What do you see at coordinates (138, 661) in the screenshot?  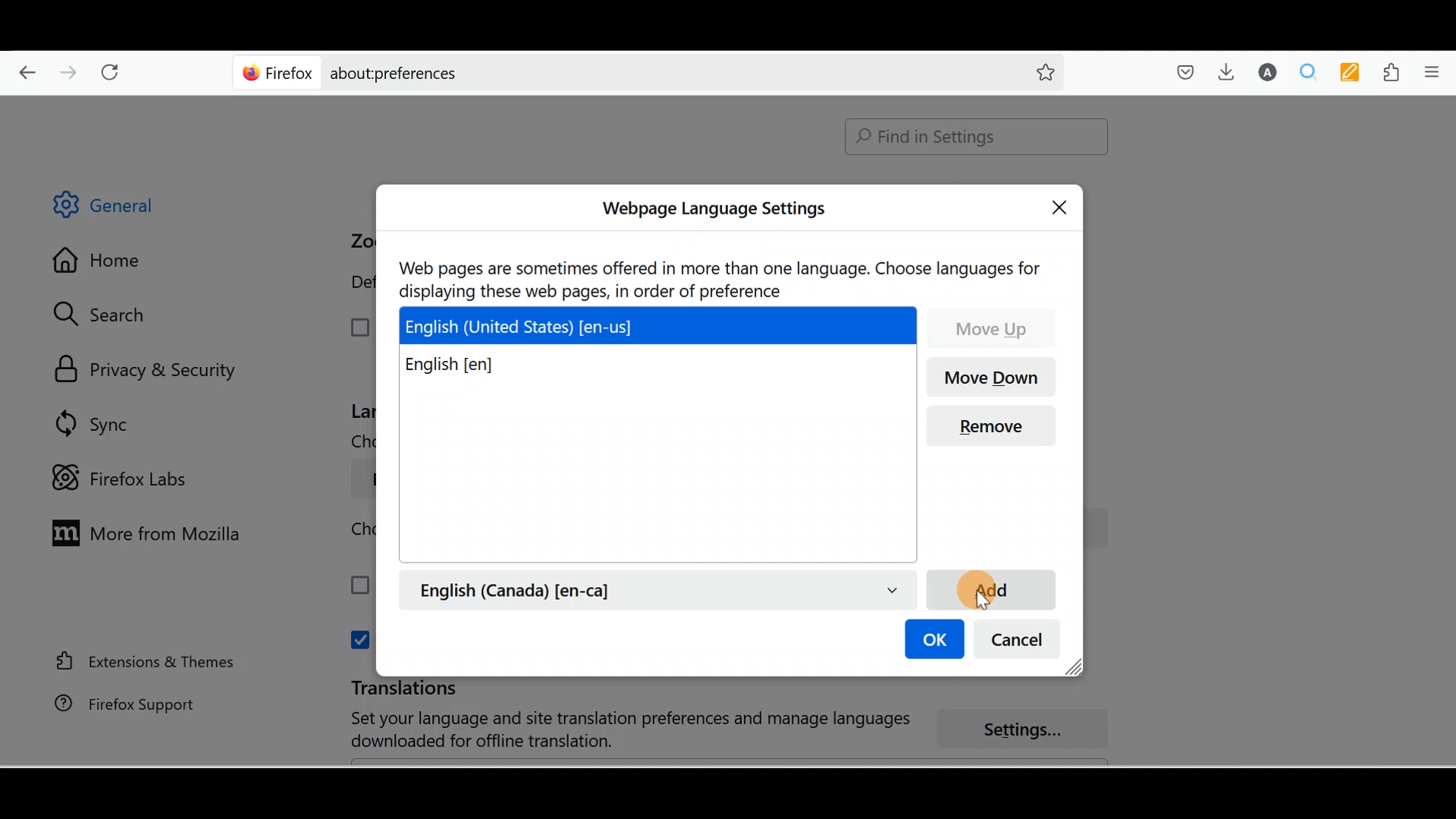 I see `Extension & Themes` at bounding box center [138, 661].